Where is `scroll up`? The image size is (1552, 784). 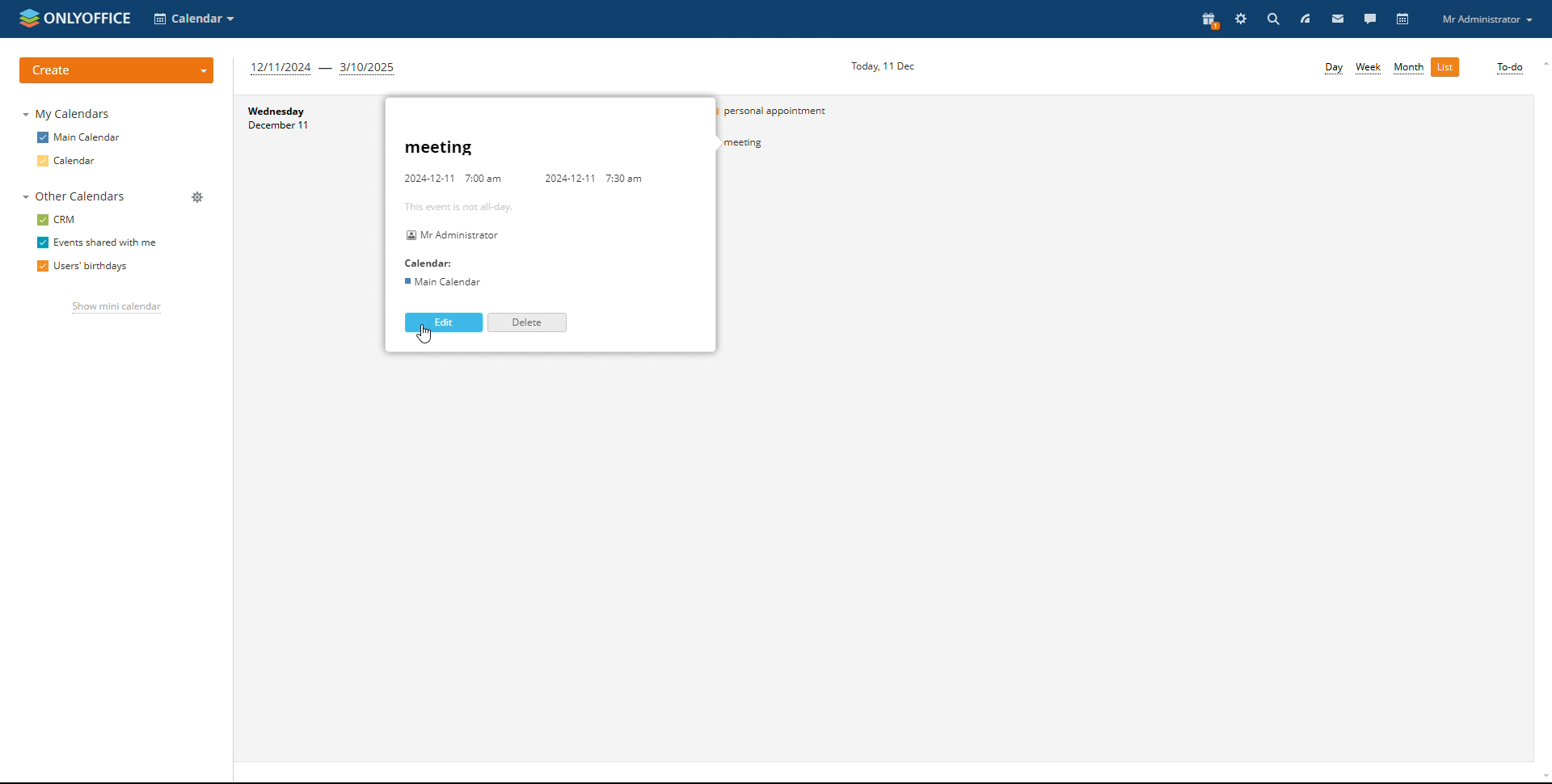
scroll up is located at coordinates (1542, 65).